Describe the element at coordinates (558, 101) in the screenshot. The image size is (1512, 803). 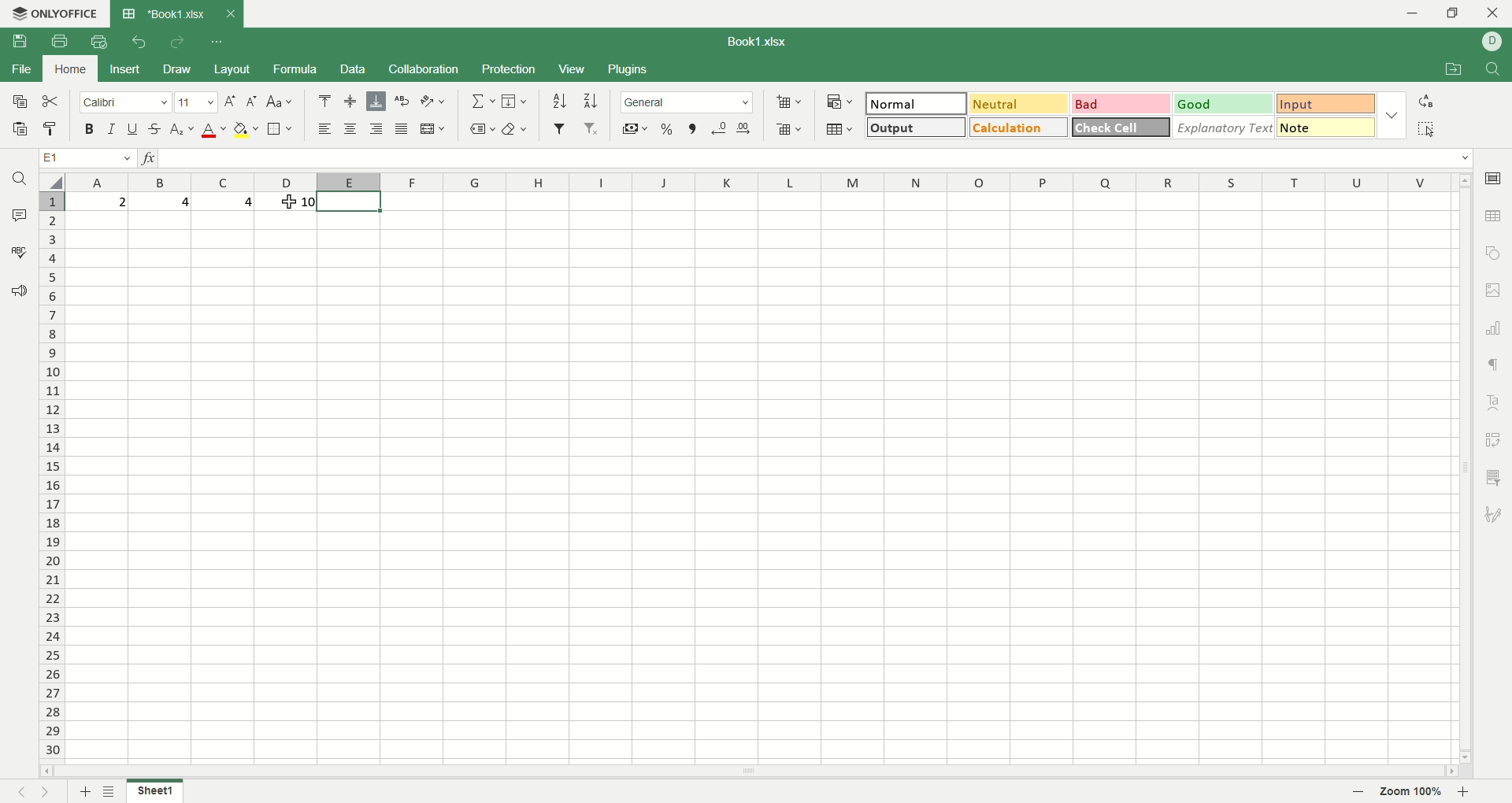
I see `sort ascending` at that location.